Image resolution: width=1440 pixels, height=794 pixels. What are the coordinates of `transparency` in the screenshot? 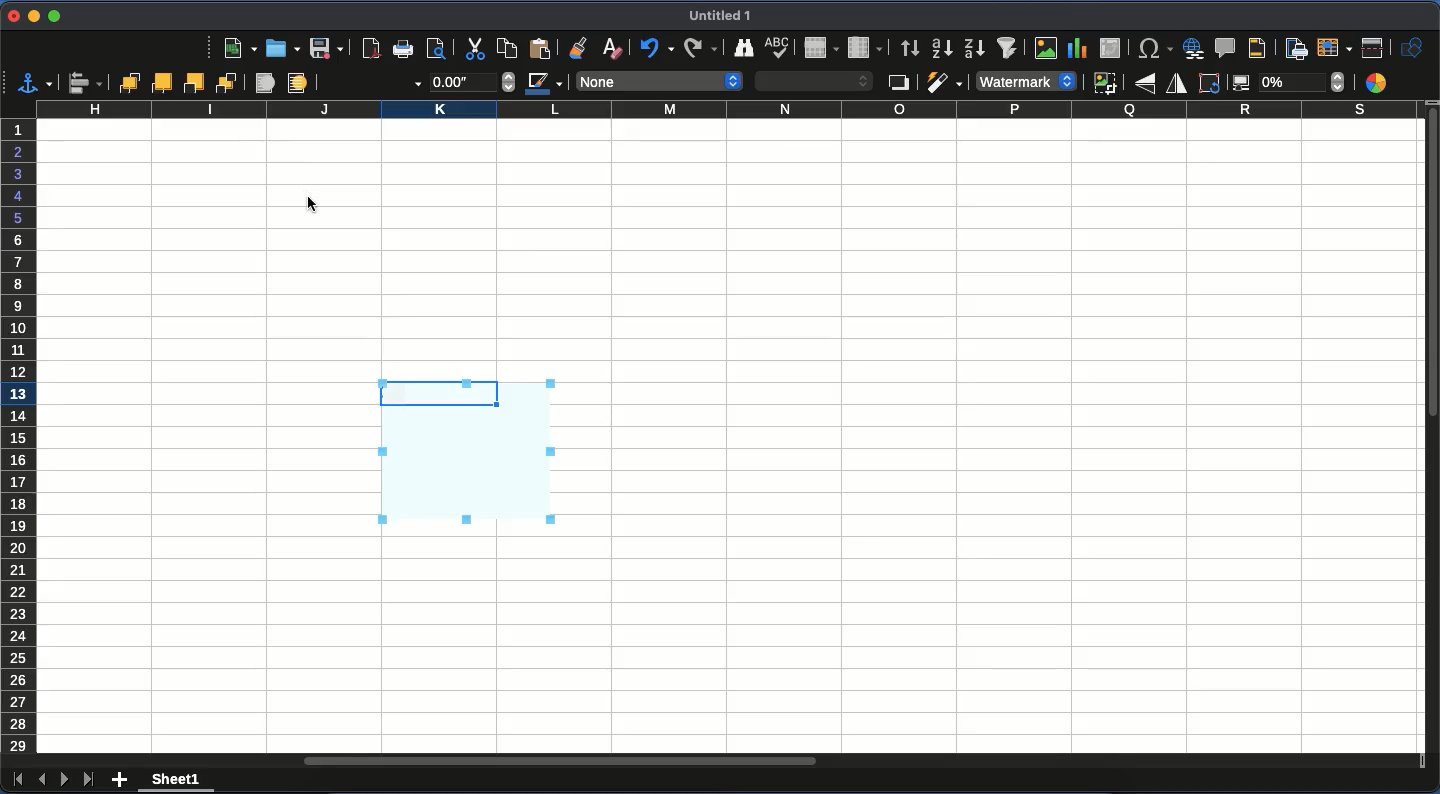 It's located at (1288, 84).